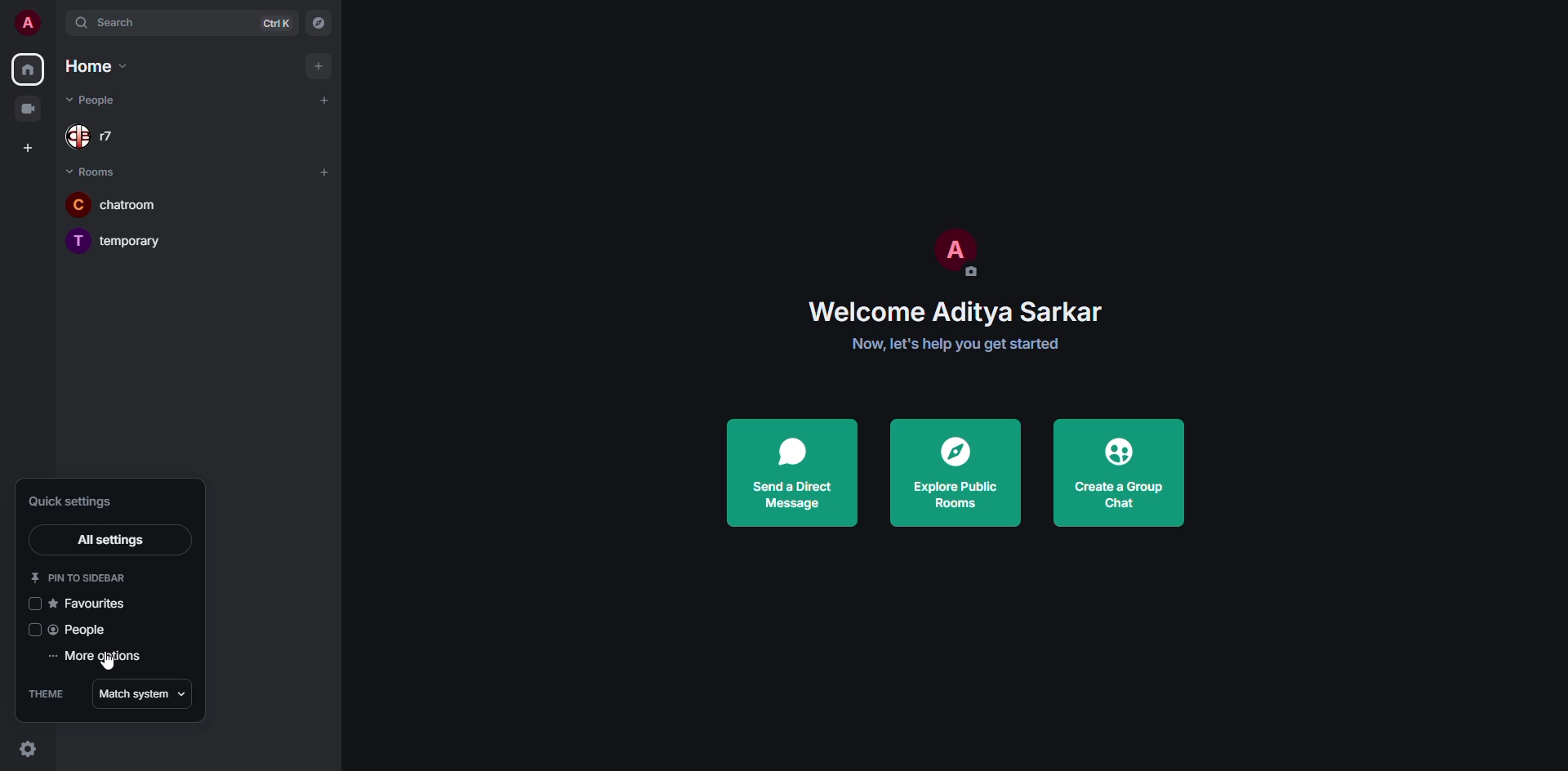 The height and width of the screenshot is (771, 1568). Describe the element at coordinates (327, 100) in the screenshot. I see `add` at that location.